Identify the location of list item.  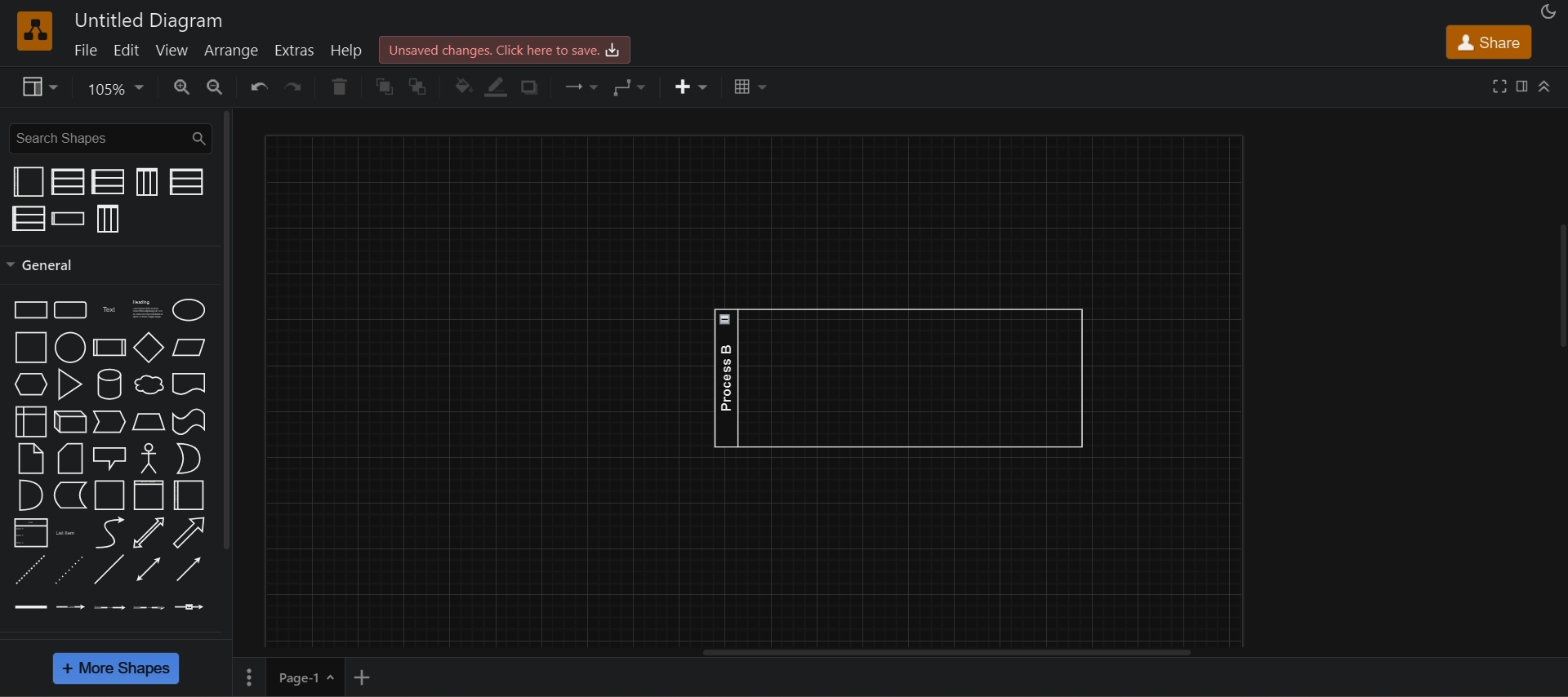
(67, 534).